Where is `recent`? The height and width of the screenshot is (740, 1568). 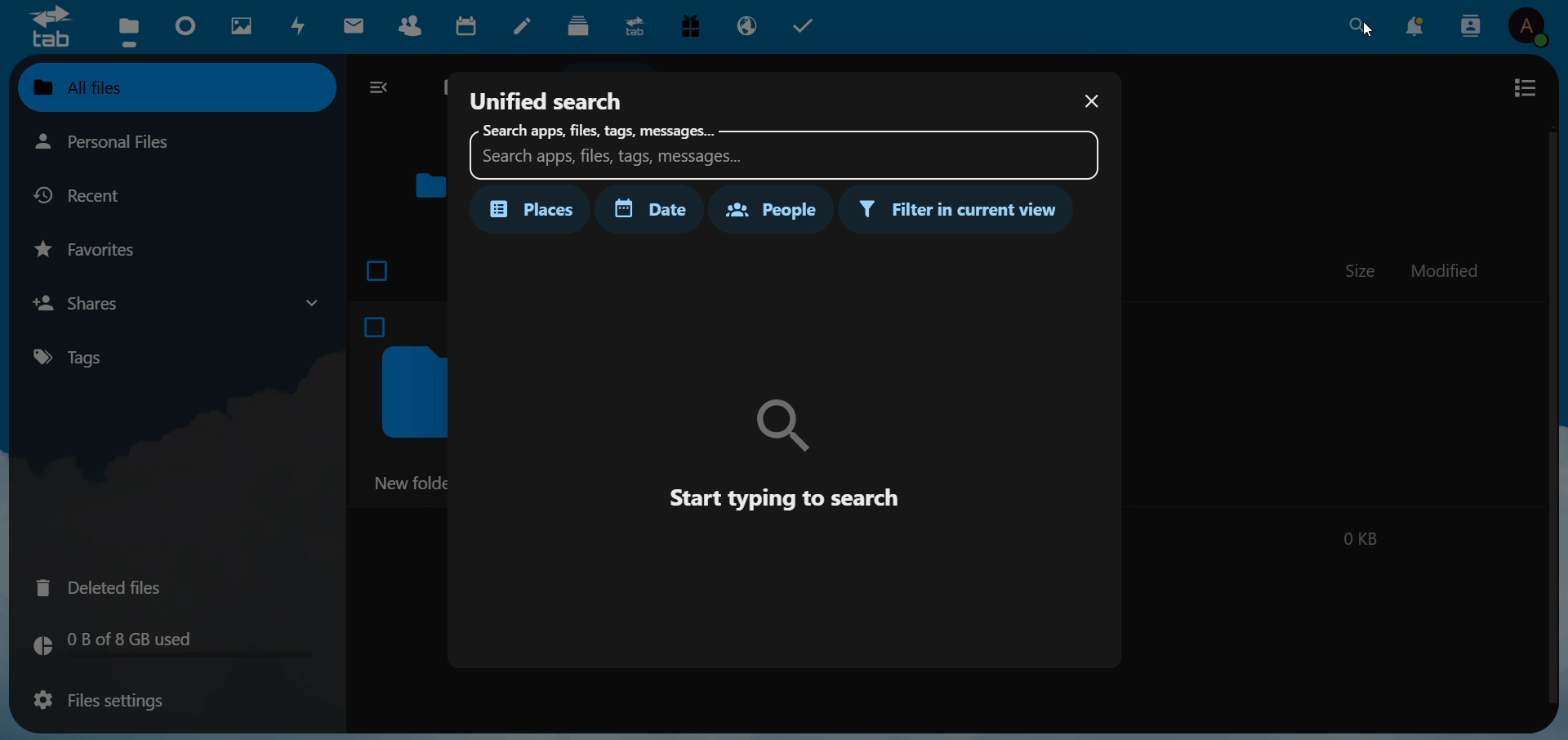 recent is located at coordinates (91, 194).